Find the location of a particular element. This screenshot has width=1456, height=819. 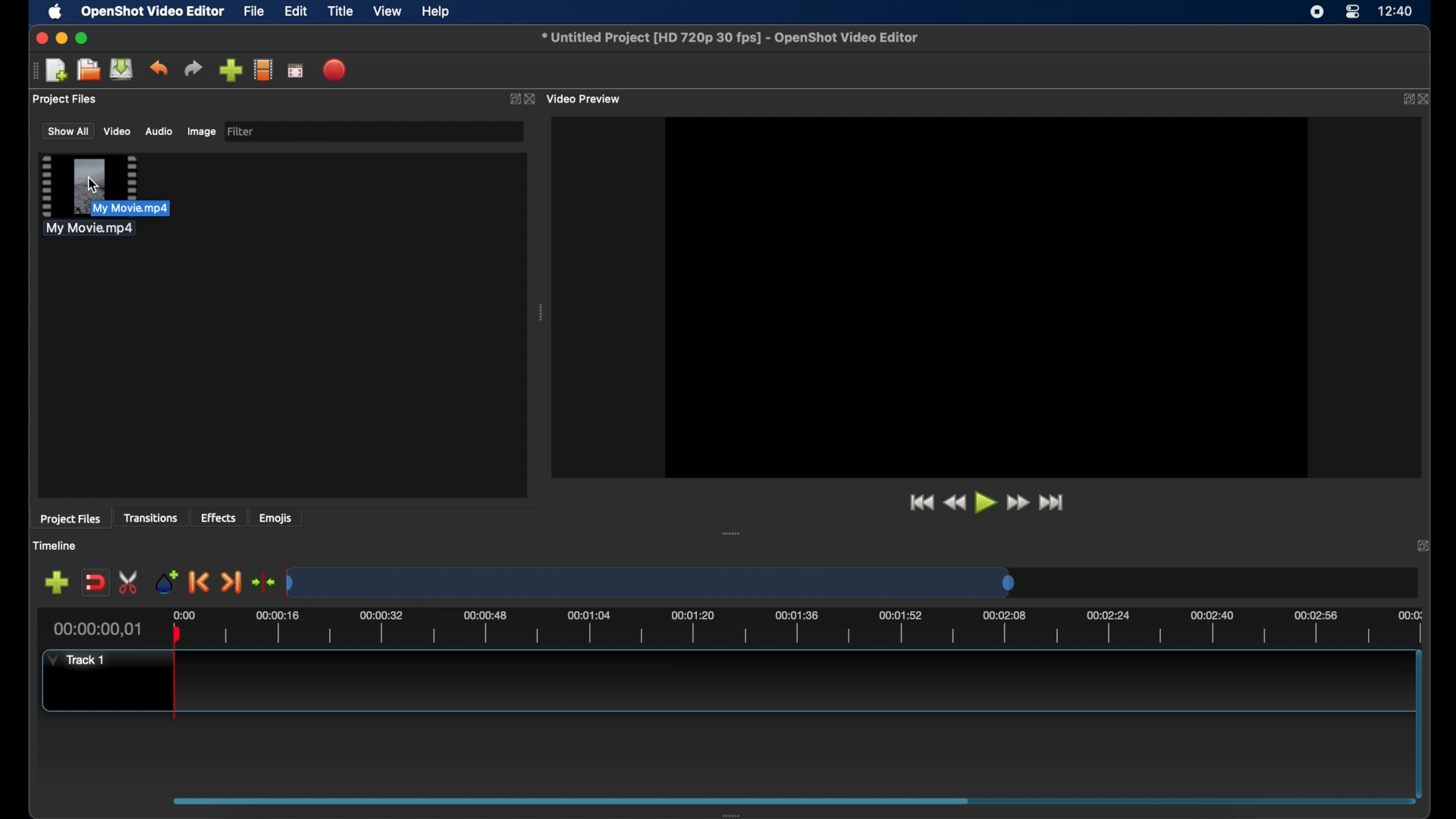

filter is located at coordinates (241, 130).